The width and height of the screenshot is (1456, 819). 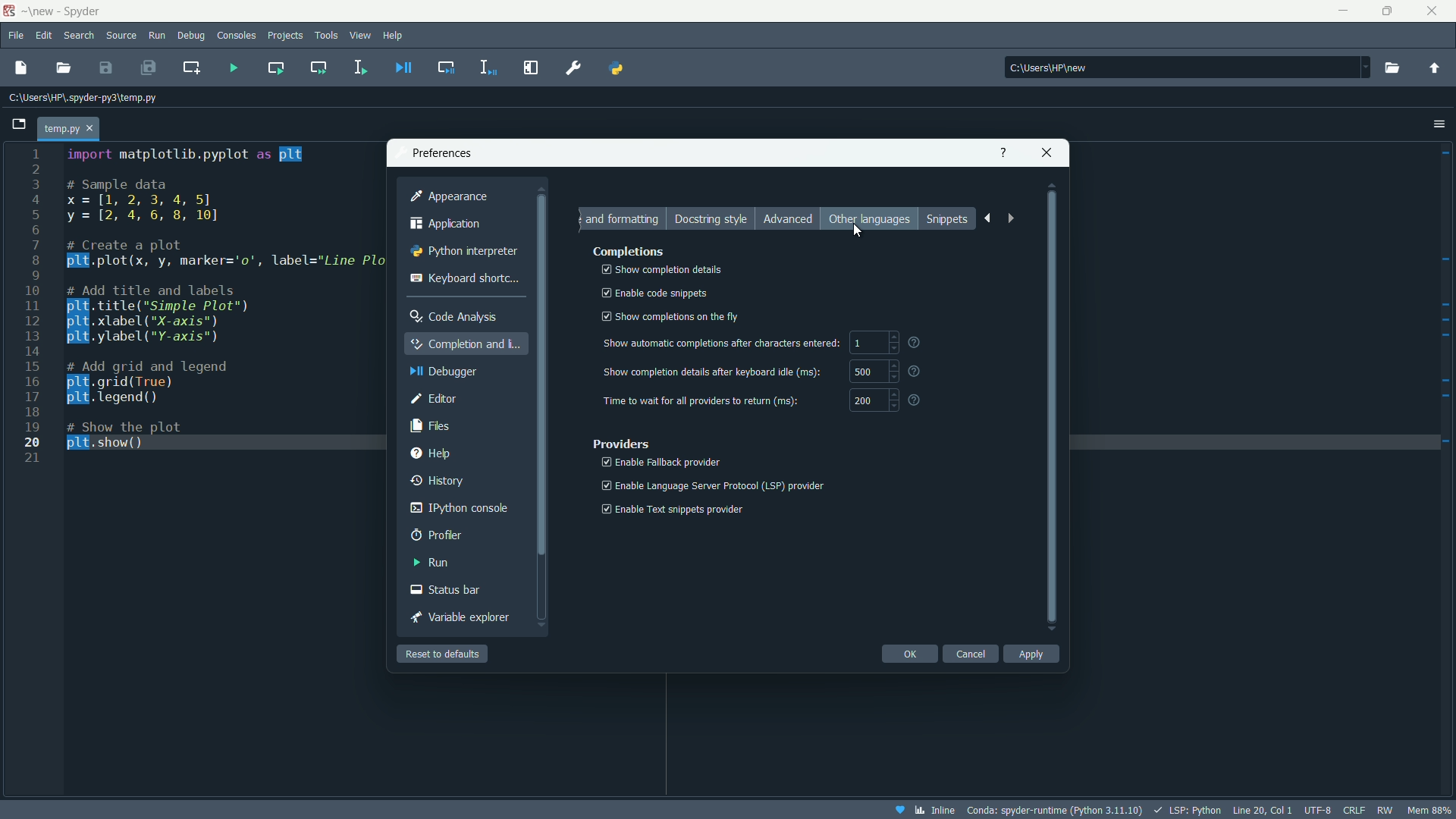 I want to click on close, so click(x=1048, y=151).